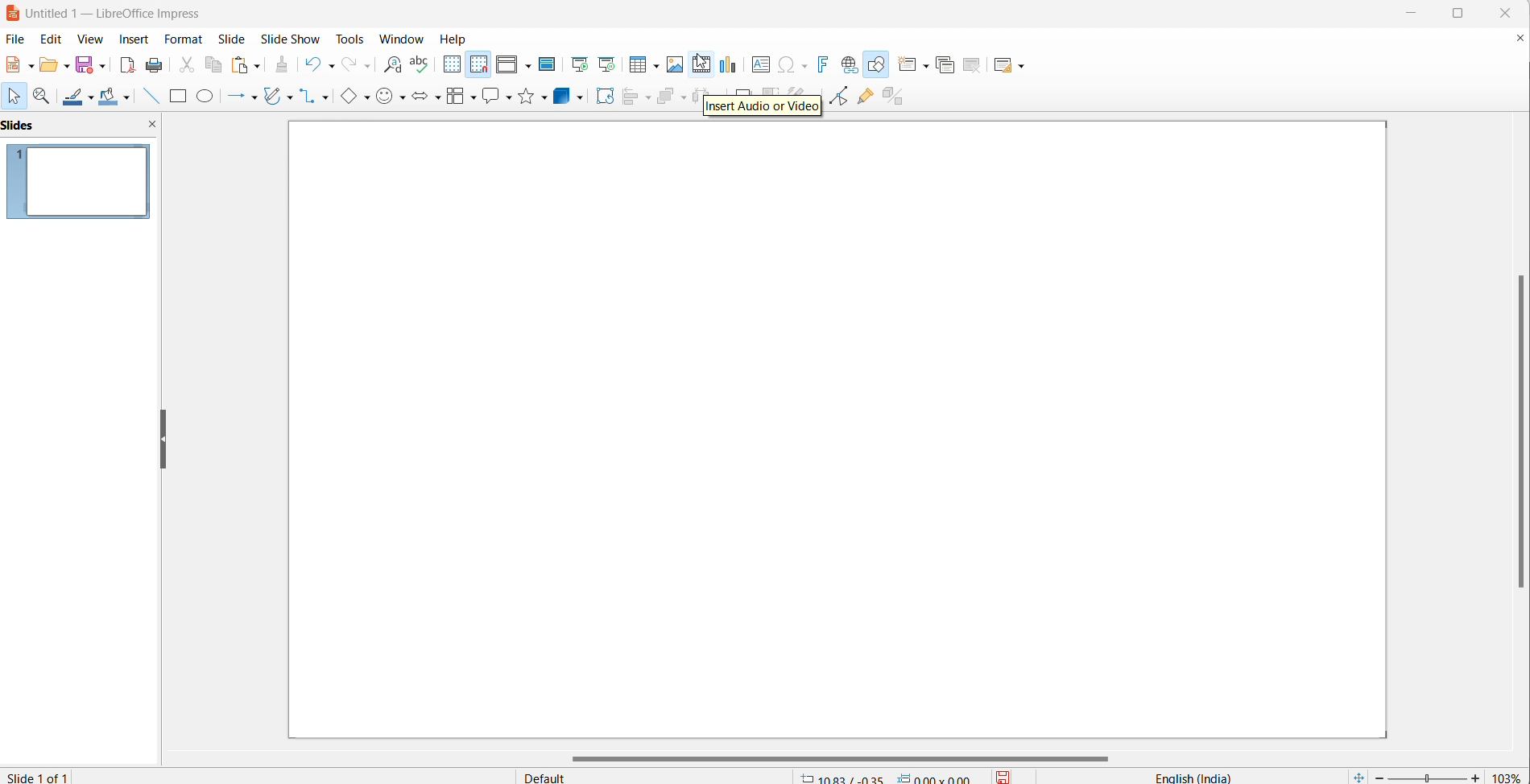 This screenshot has width=1530, height=784. I want to click on show gluepoint function, so click(868, 98).